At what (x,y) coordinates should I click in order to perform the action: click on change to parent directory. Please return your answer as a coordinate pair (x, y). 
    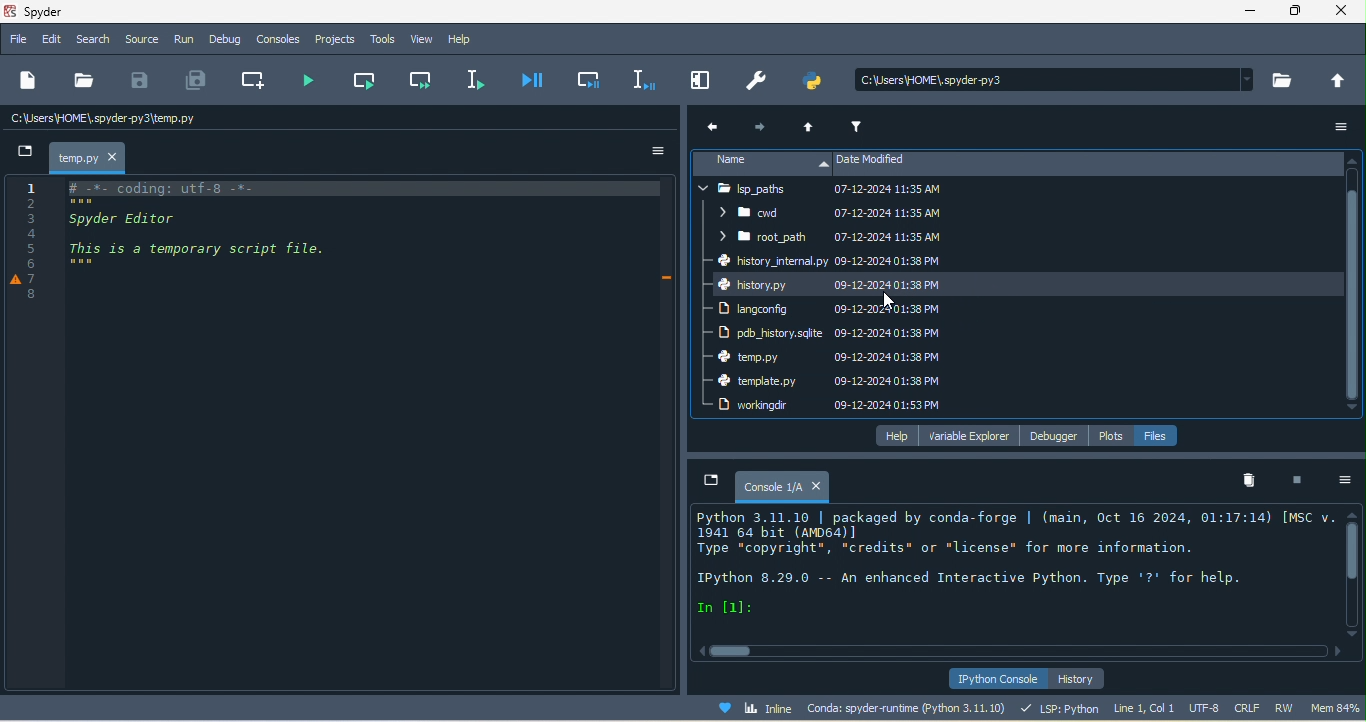
    Looking at the image, I should click on (1332, 80).